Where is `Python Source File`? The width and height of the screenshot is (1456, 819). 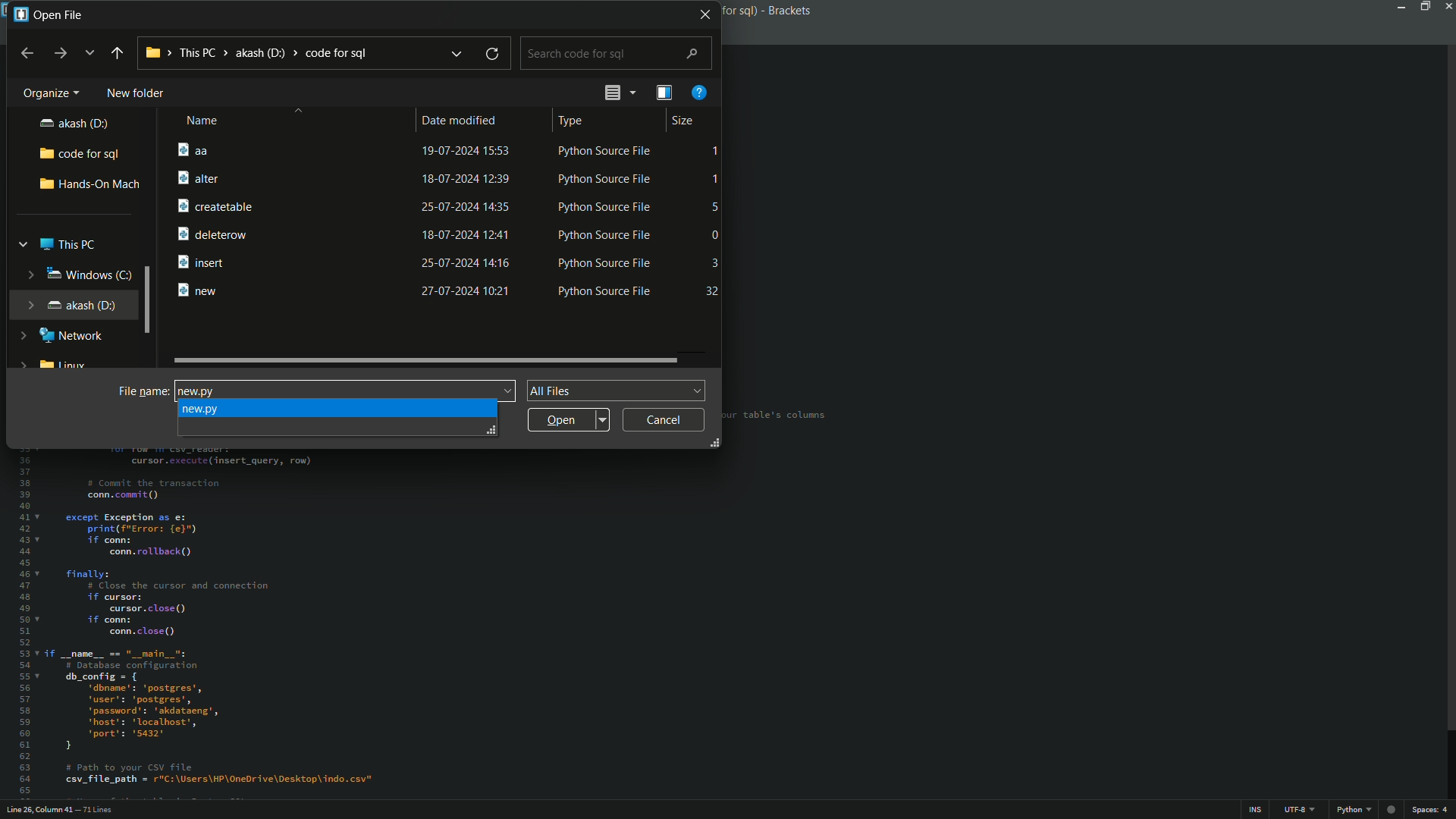 Python Source File is located at coordinates (601, 150).